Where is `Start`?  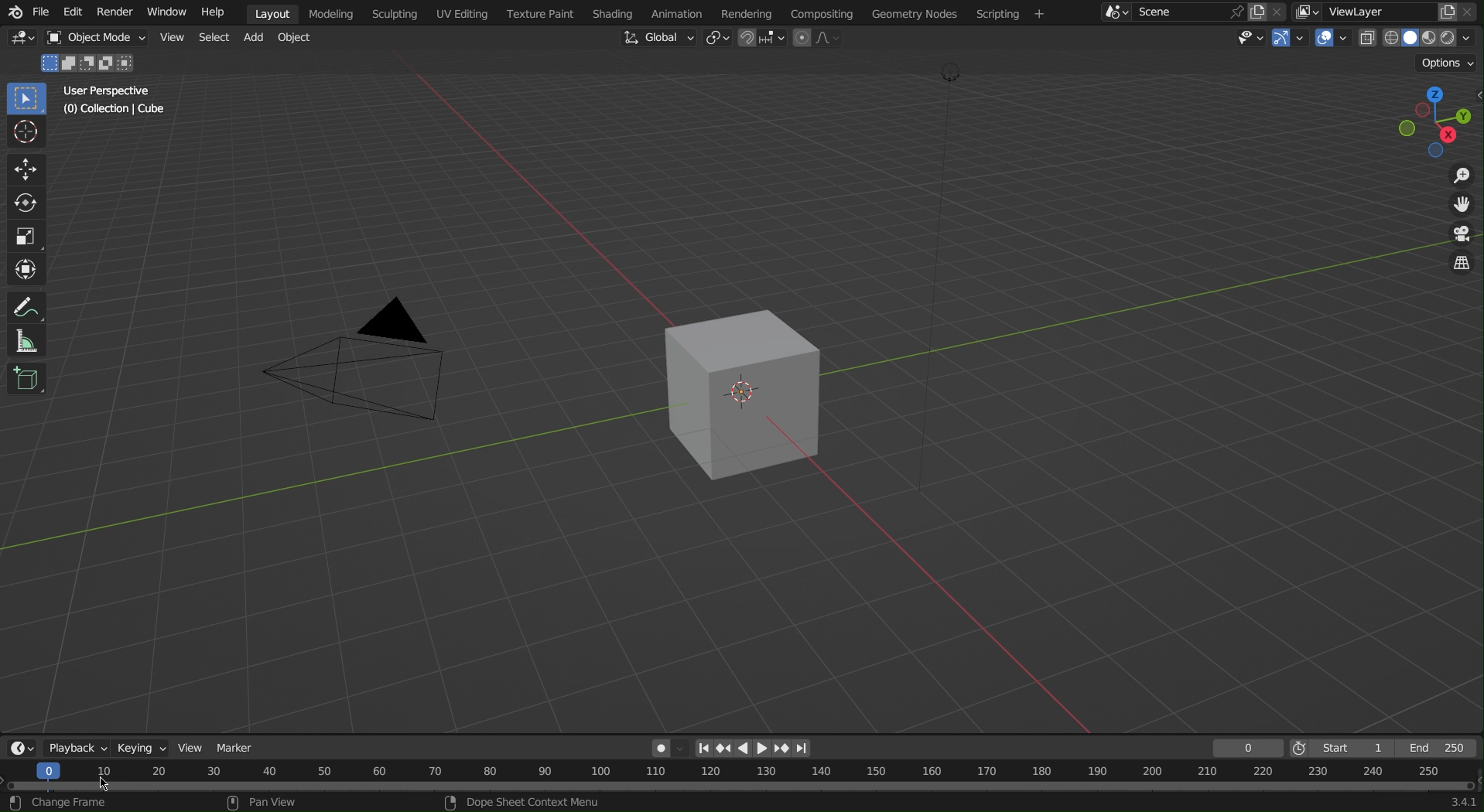
Start is located at coordinates (1345, 747).